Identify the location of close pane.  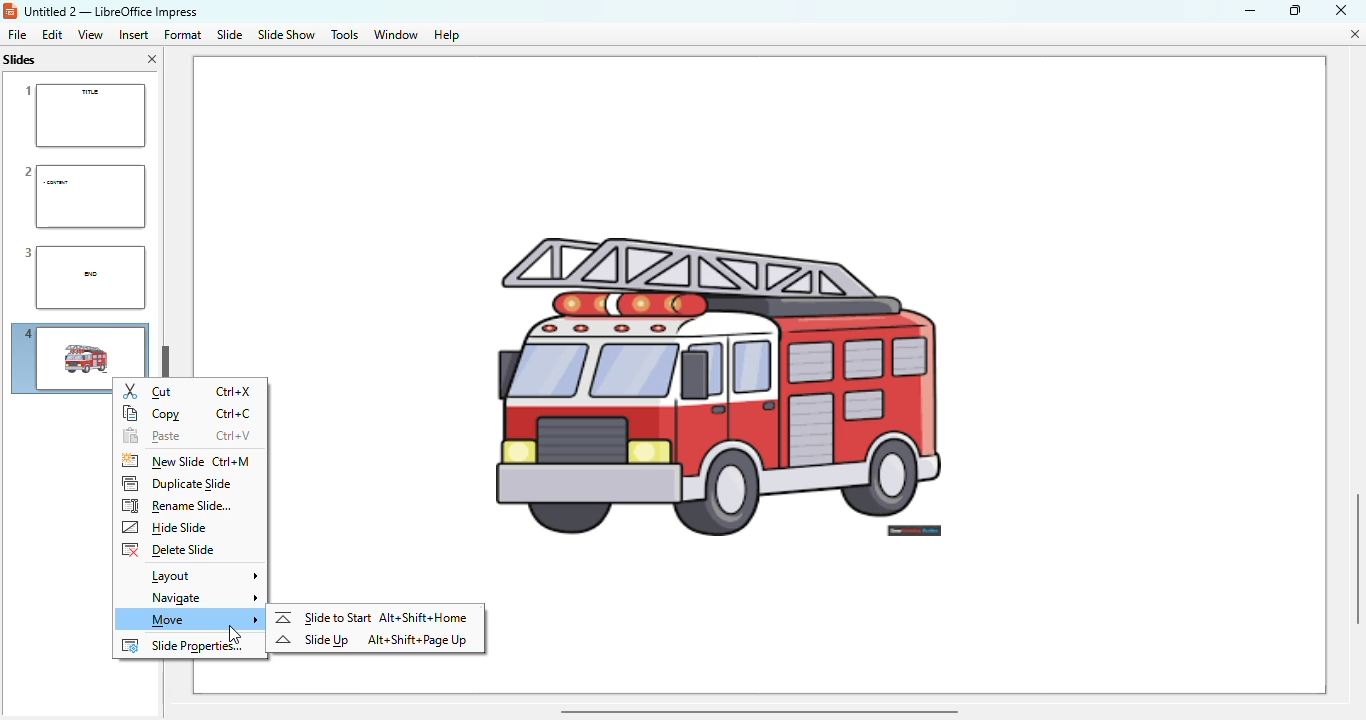
(152, 59).